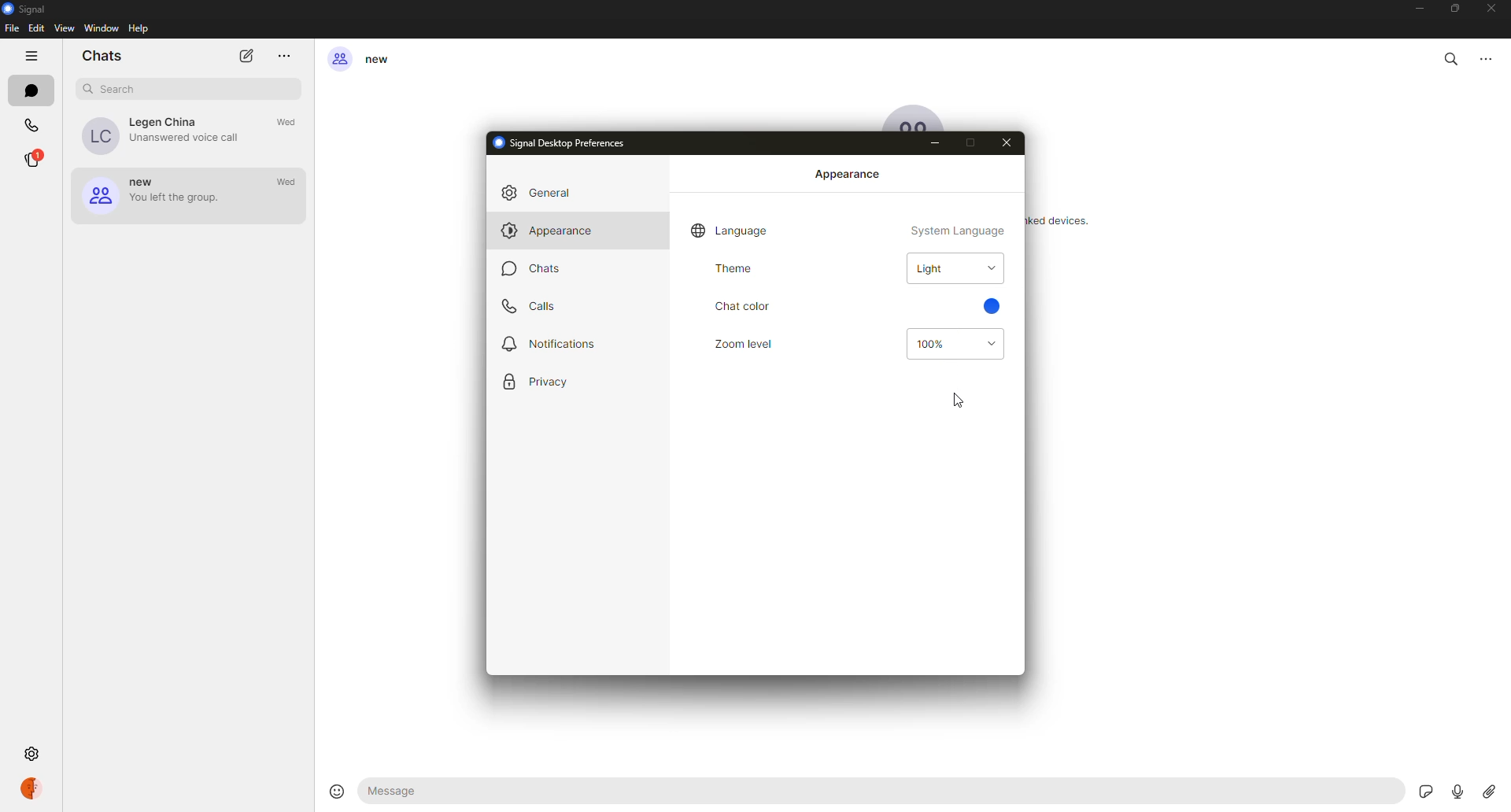 Image resolution: width=1511 pixels, height=812 pixels. Describe the element at coordinates (1453, 59) in the screenshot. I see `search` at that location.